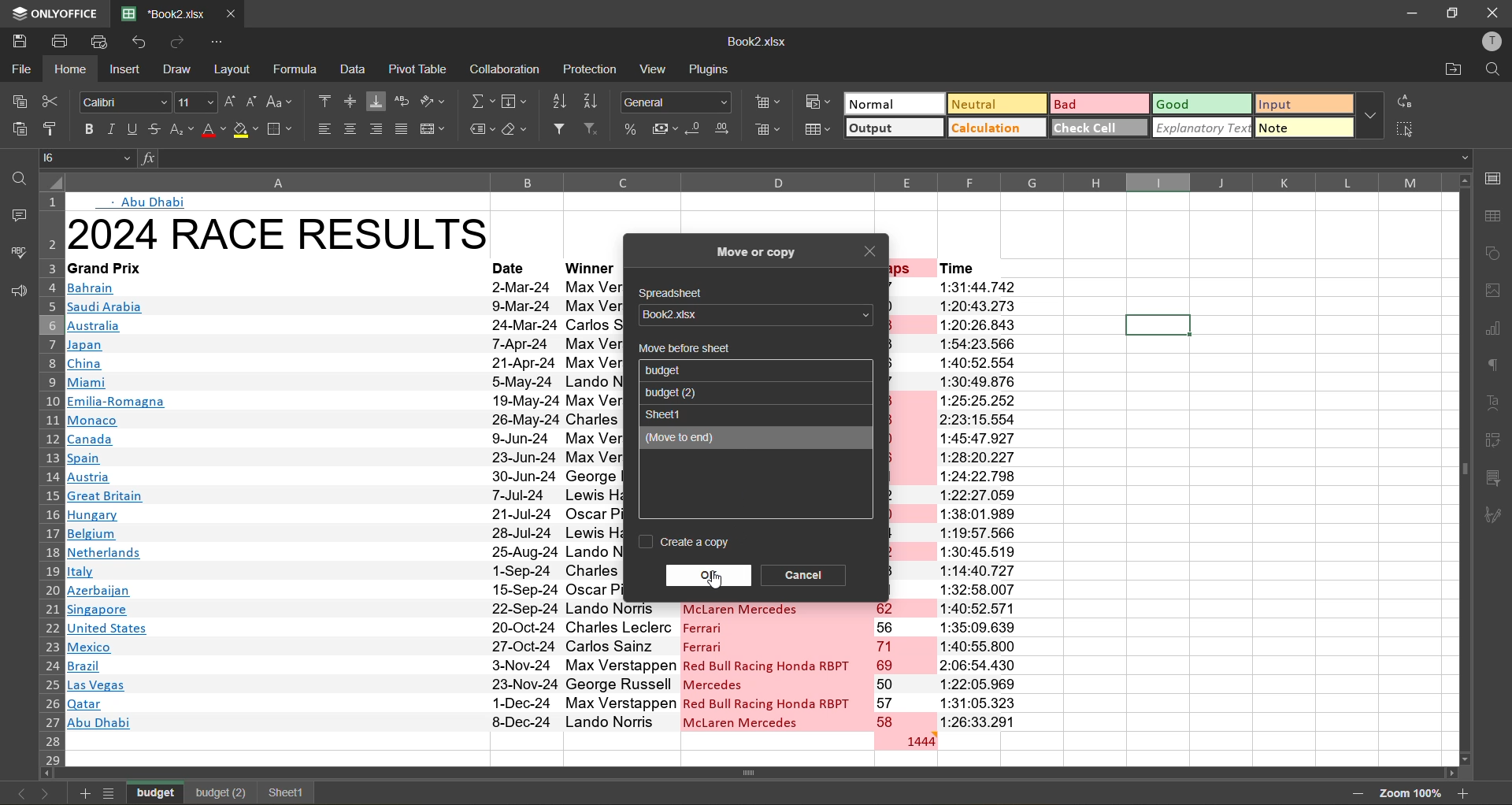 This screenshot has height=805, width=1512. Describe the element at coordinates (1497, 216) in the screenshot. I see `table` at that location.